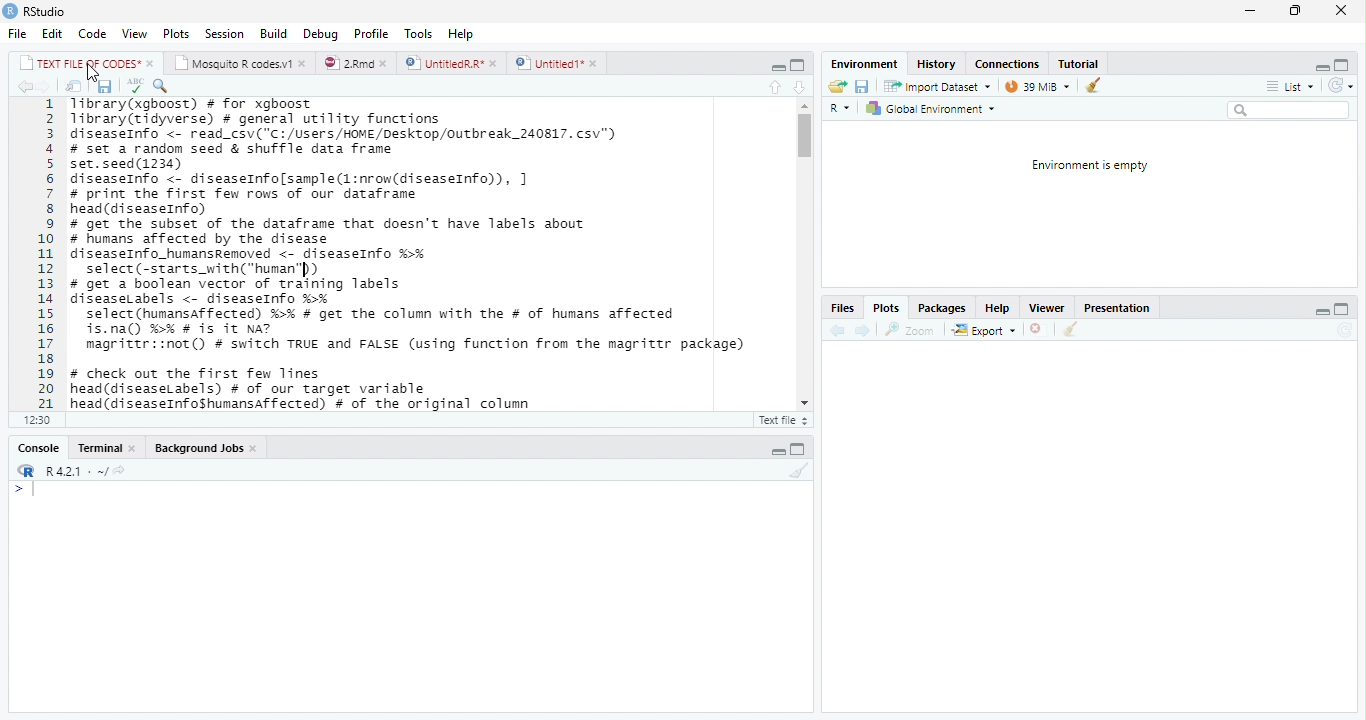  What do you see at coordinates (1249, 11) in the screenshot?
I see `Minimize` at bounding box center [1249, 11].